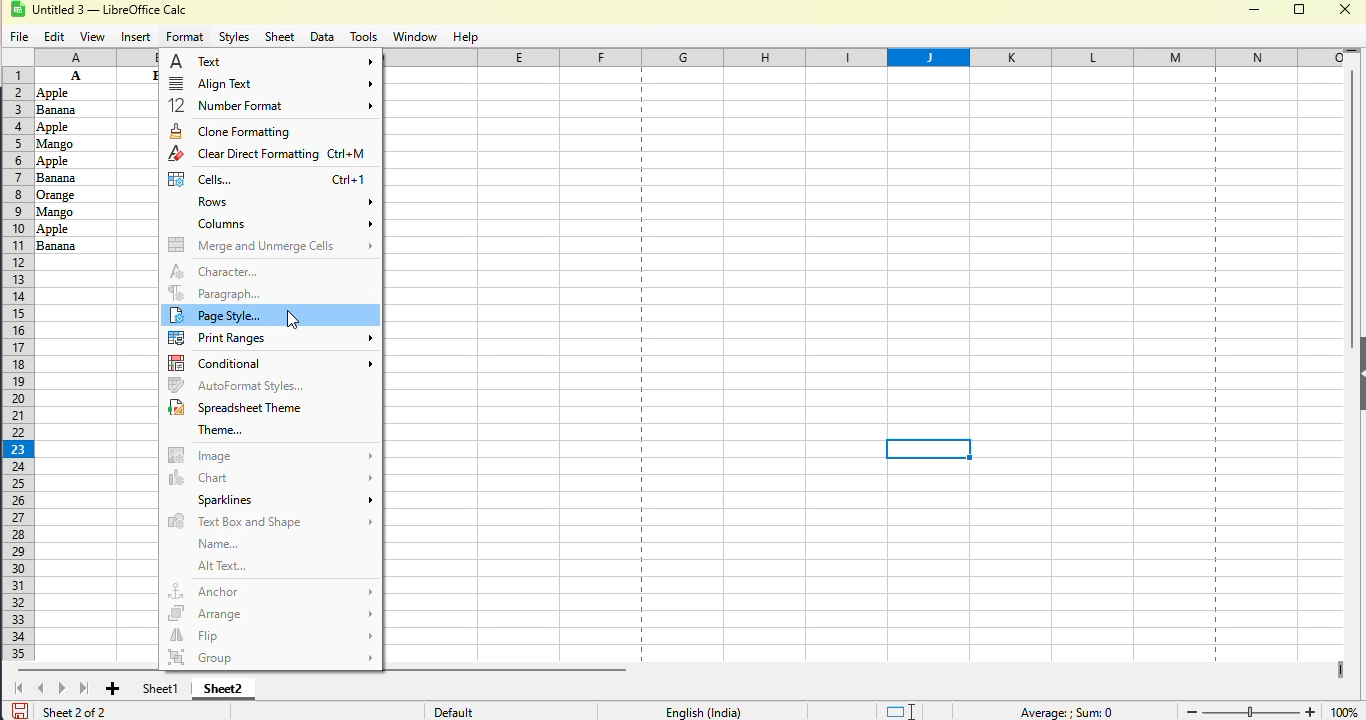  Describe the element at coordinates (283, 224) in the screenshot. I see `columns` at that location.